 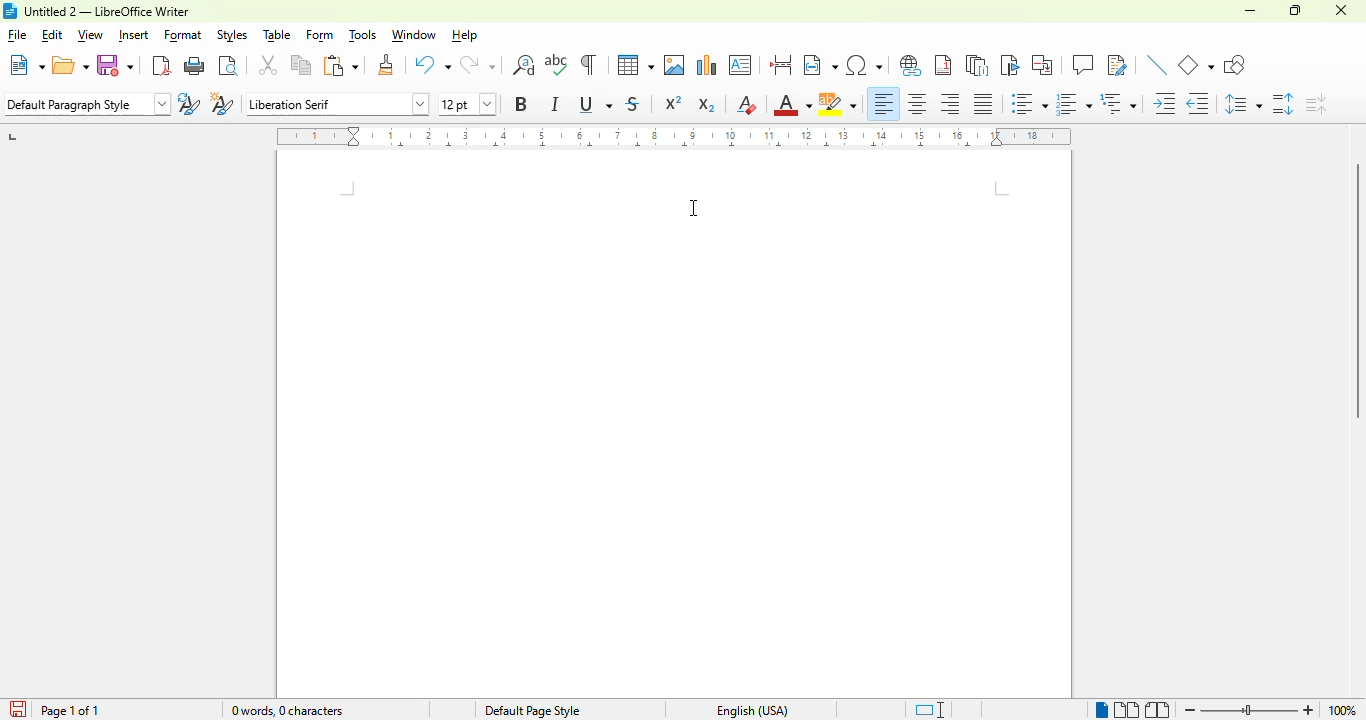 I want to click on form, so click(x=319, y=35).